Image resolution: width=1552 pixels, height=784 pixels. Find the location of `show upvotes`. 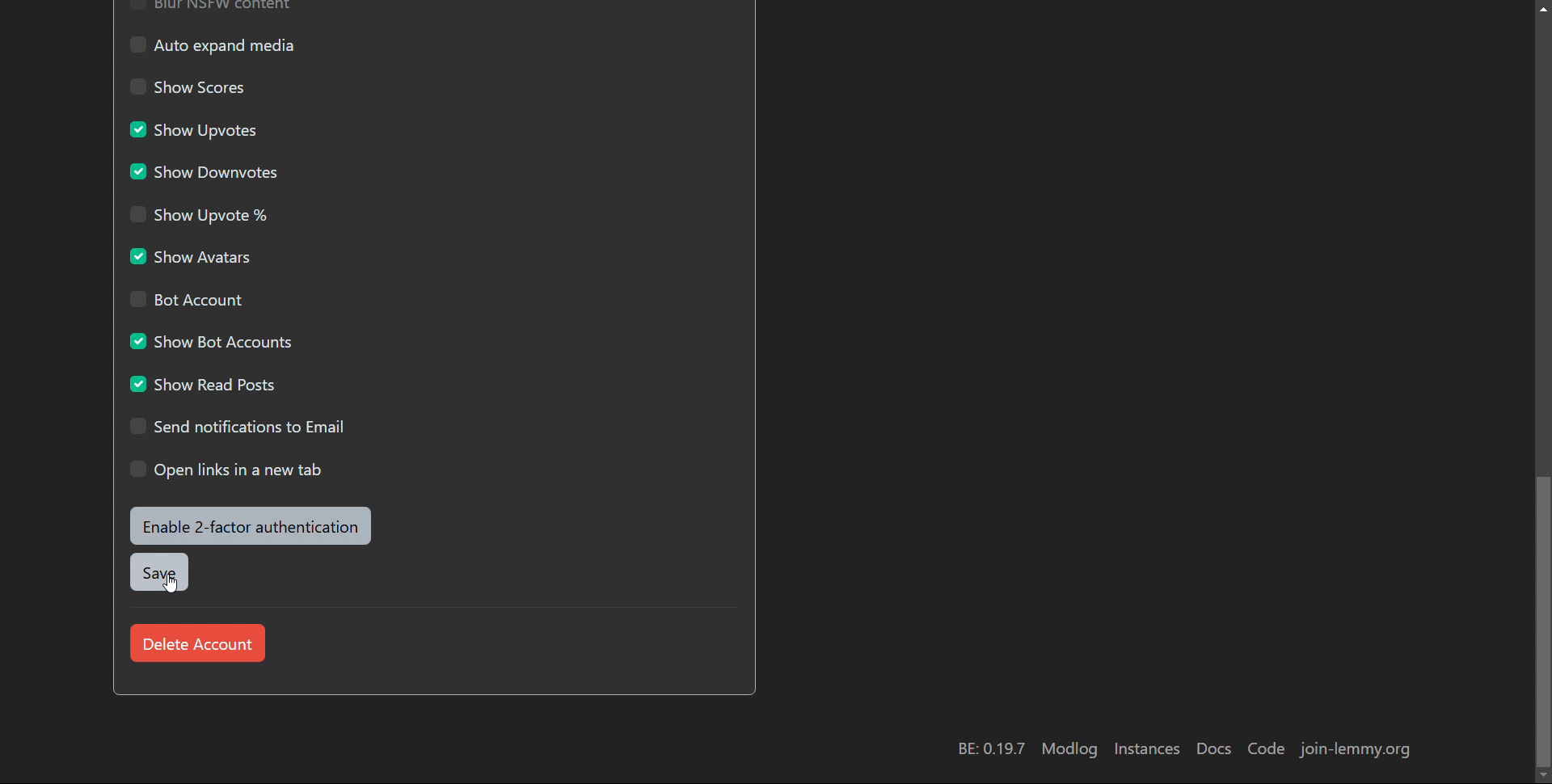

show upvotes is located at coordinates (196, 130).